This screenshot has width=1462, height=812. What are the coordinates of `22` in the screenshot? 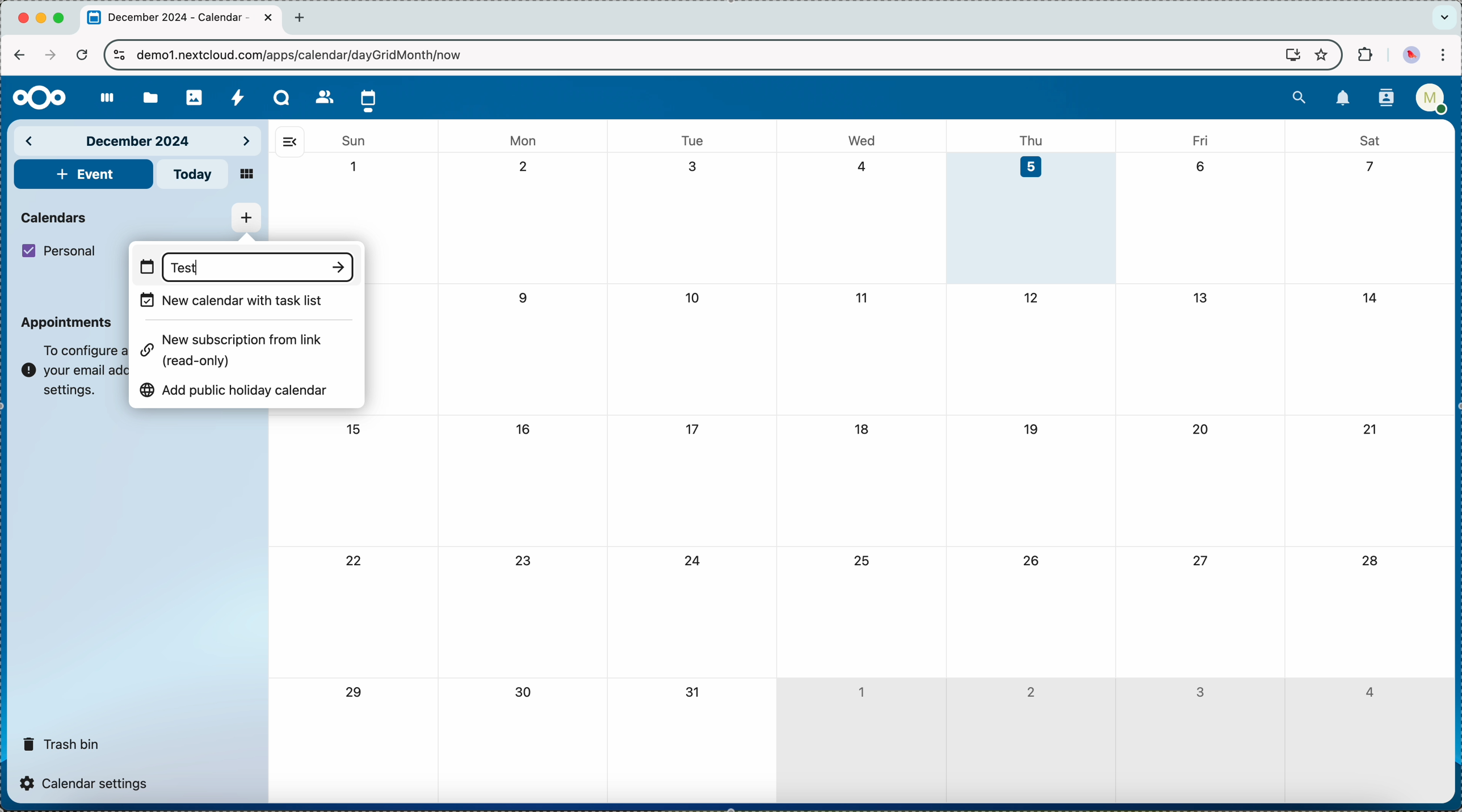 It's located at (355, 563).